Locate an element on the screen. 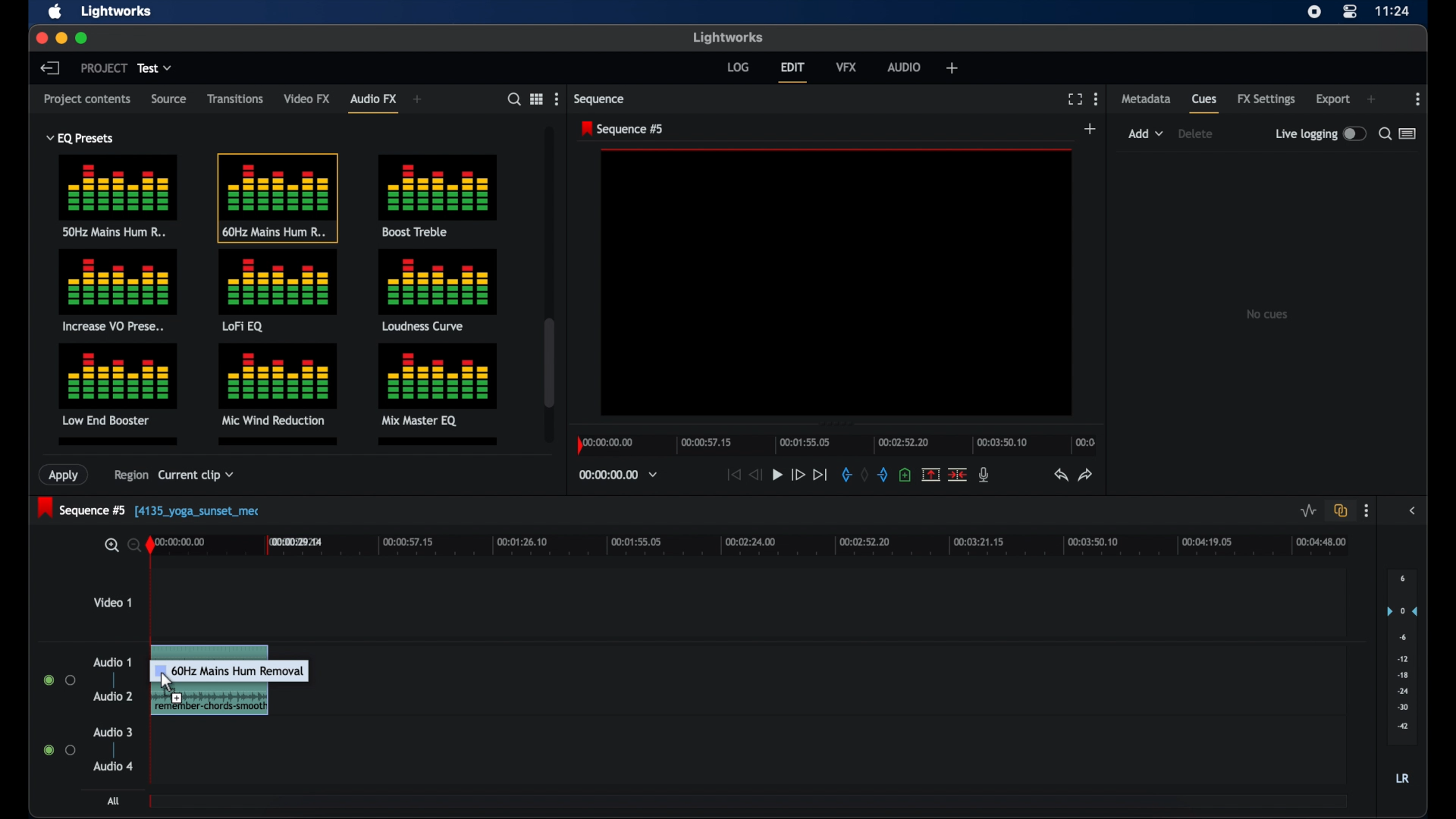  source is located at coordinates (168, 98).